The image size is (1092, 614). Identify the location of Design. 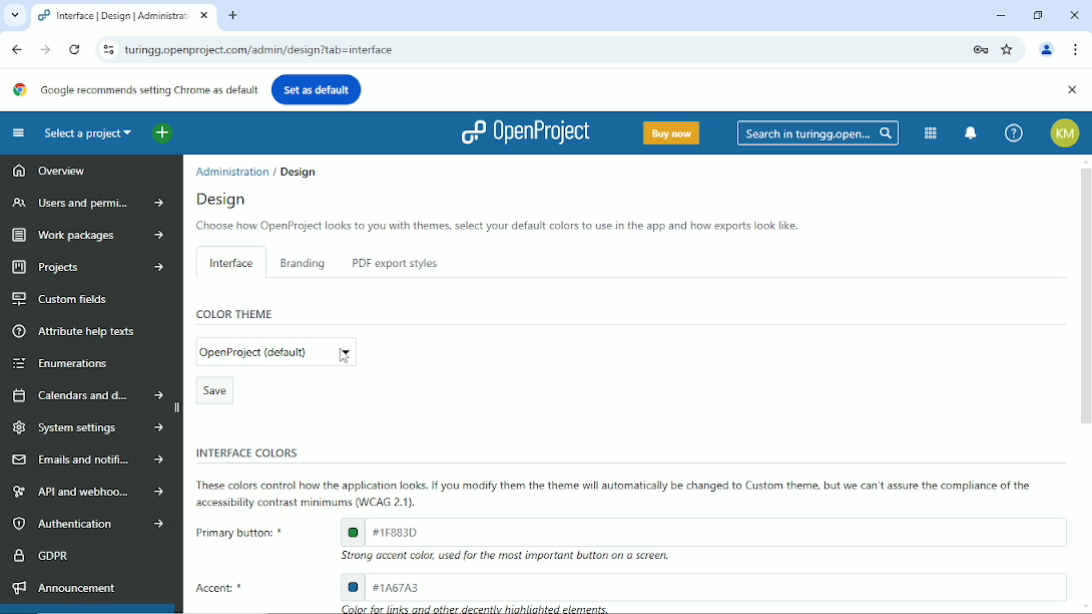
(226, 199).